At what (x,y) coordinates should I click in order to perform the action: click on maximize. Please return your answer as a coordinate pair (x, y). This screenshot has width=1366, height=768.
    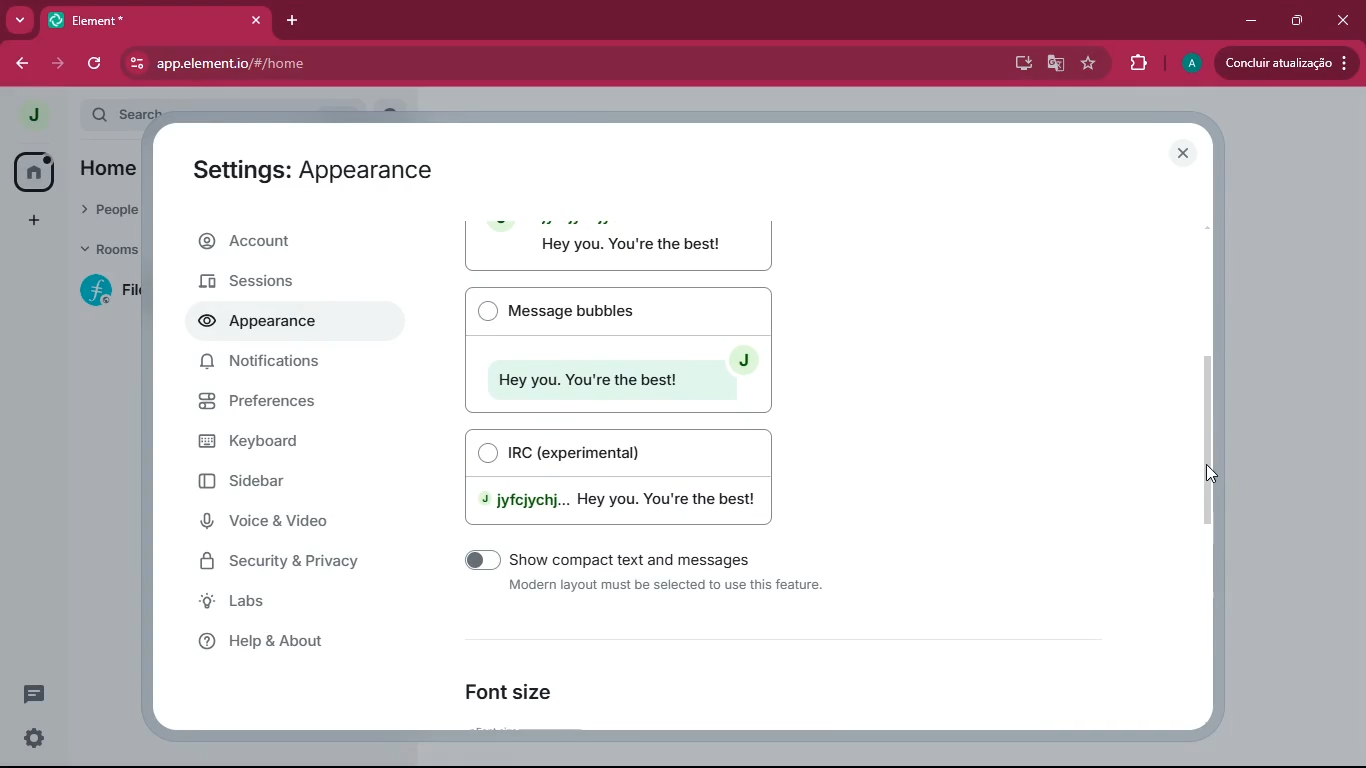
    Looking at the image, I should click on (1301, 19).